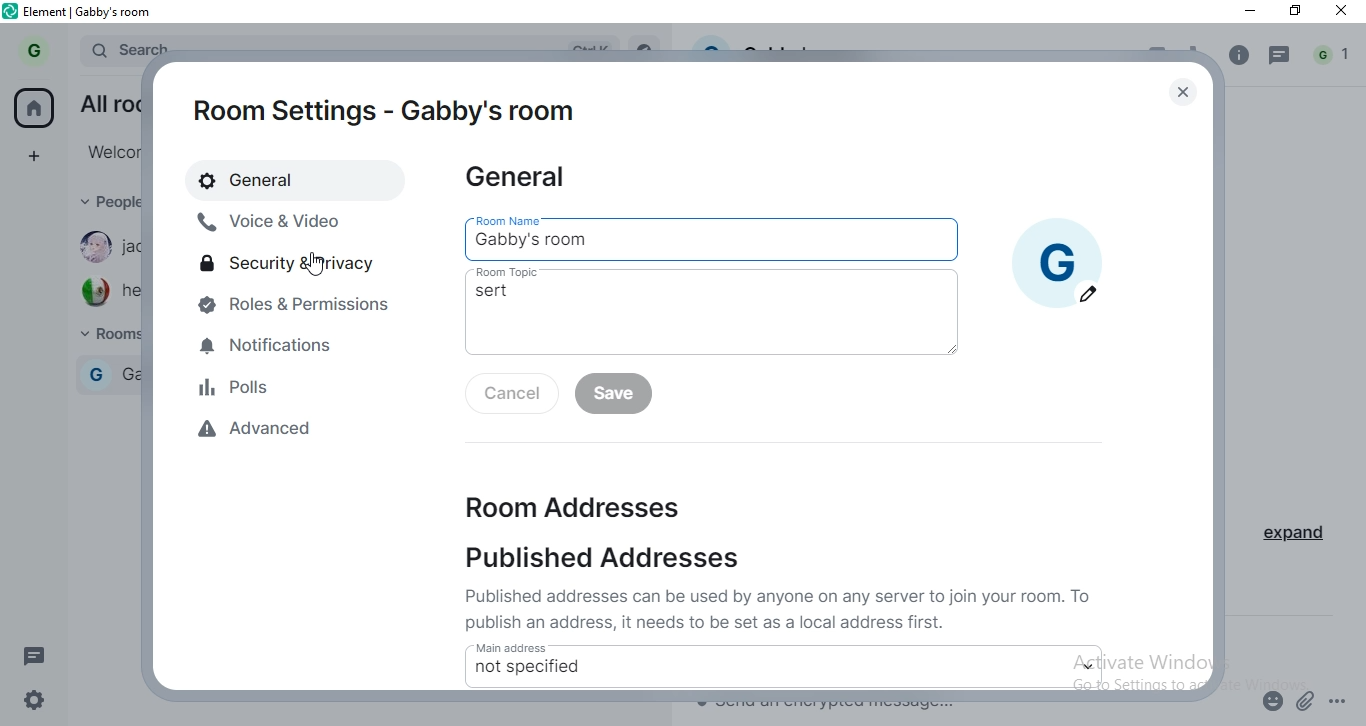 The width and height of the screenshot is (1366, 726). I want to click on notification, so click(1334, 56).